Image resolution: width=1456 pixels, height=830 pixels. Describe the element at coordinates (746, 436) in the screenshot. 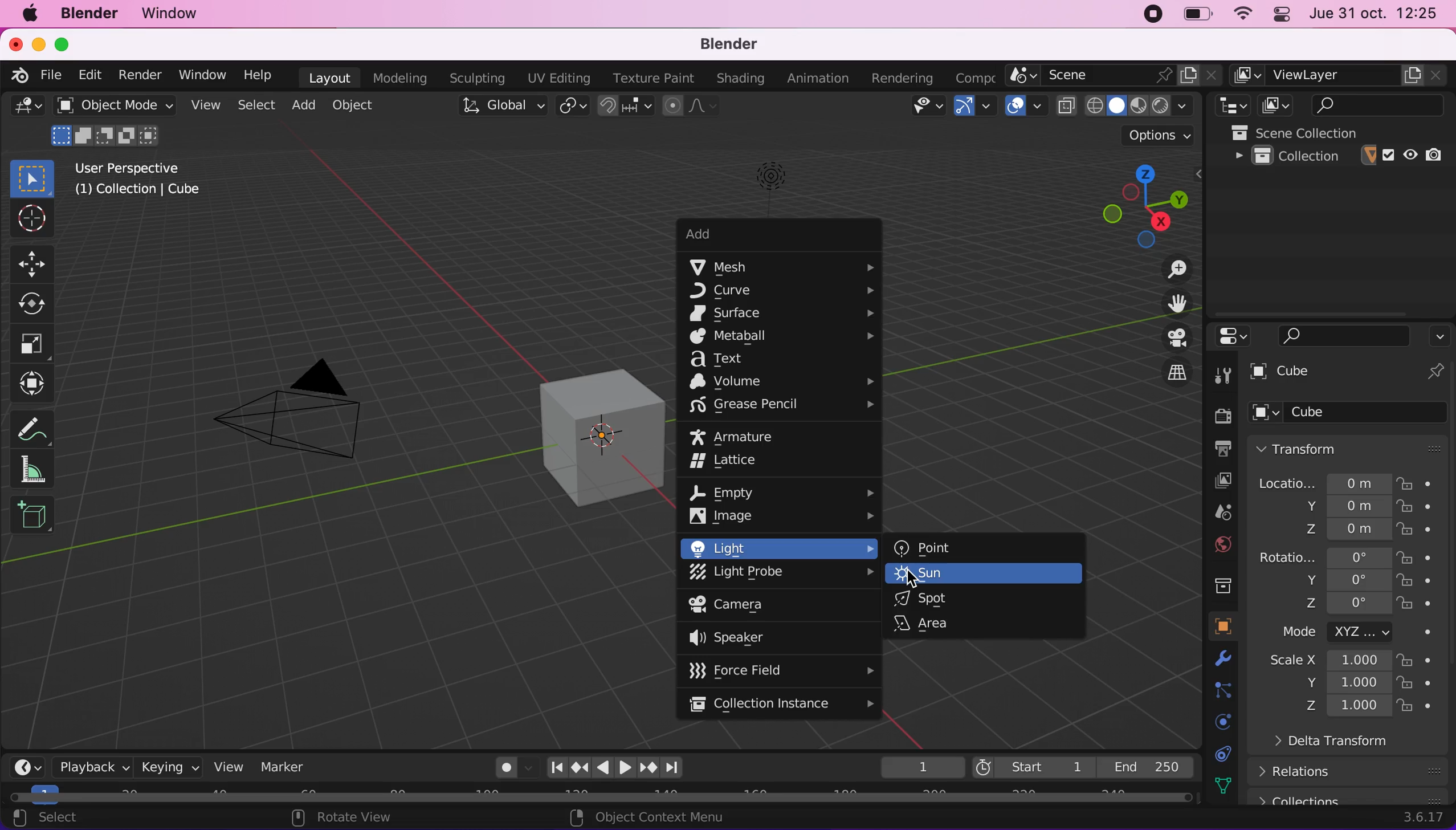

I see `armature` at that location.